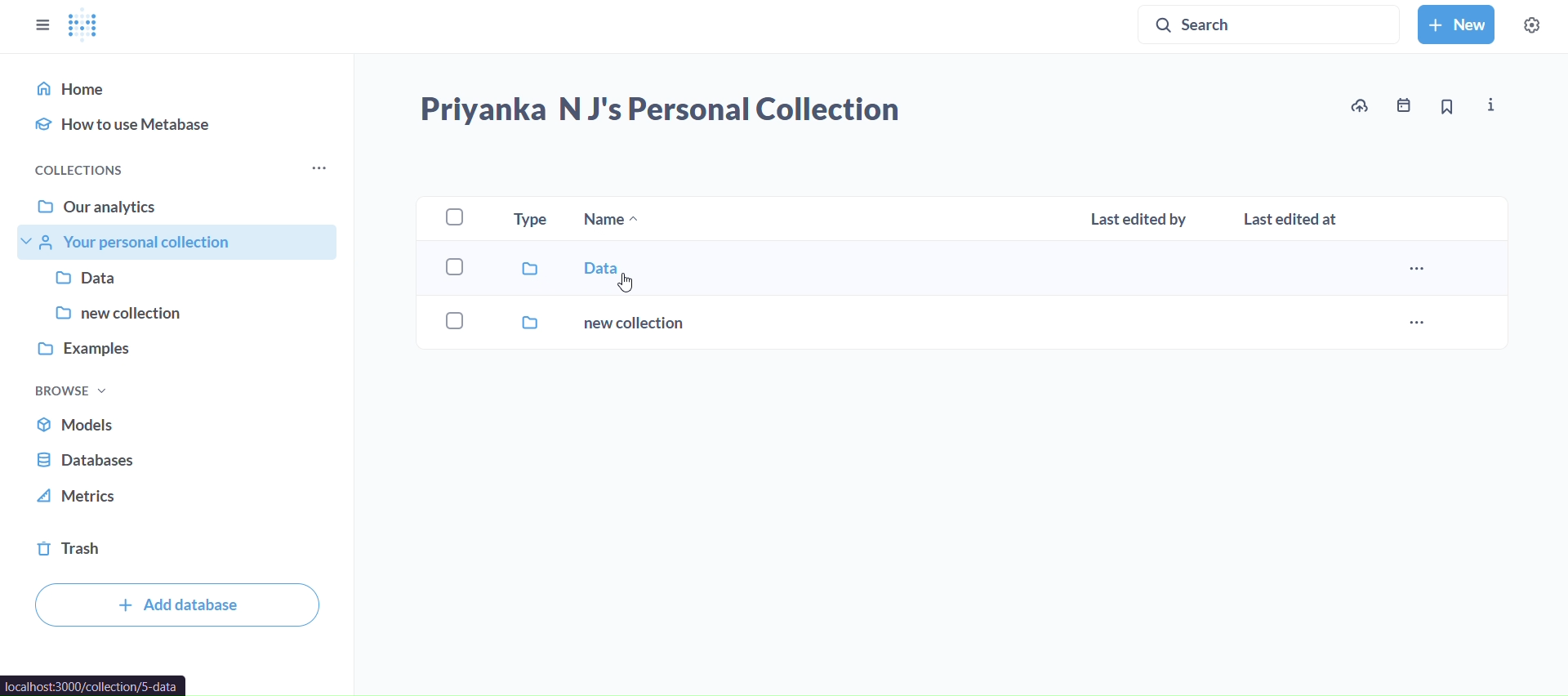 This screenshot has height=696, width=1568. I want to click on browse, so click(69, 390).